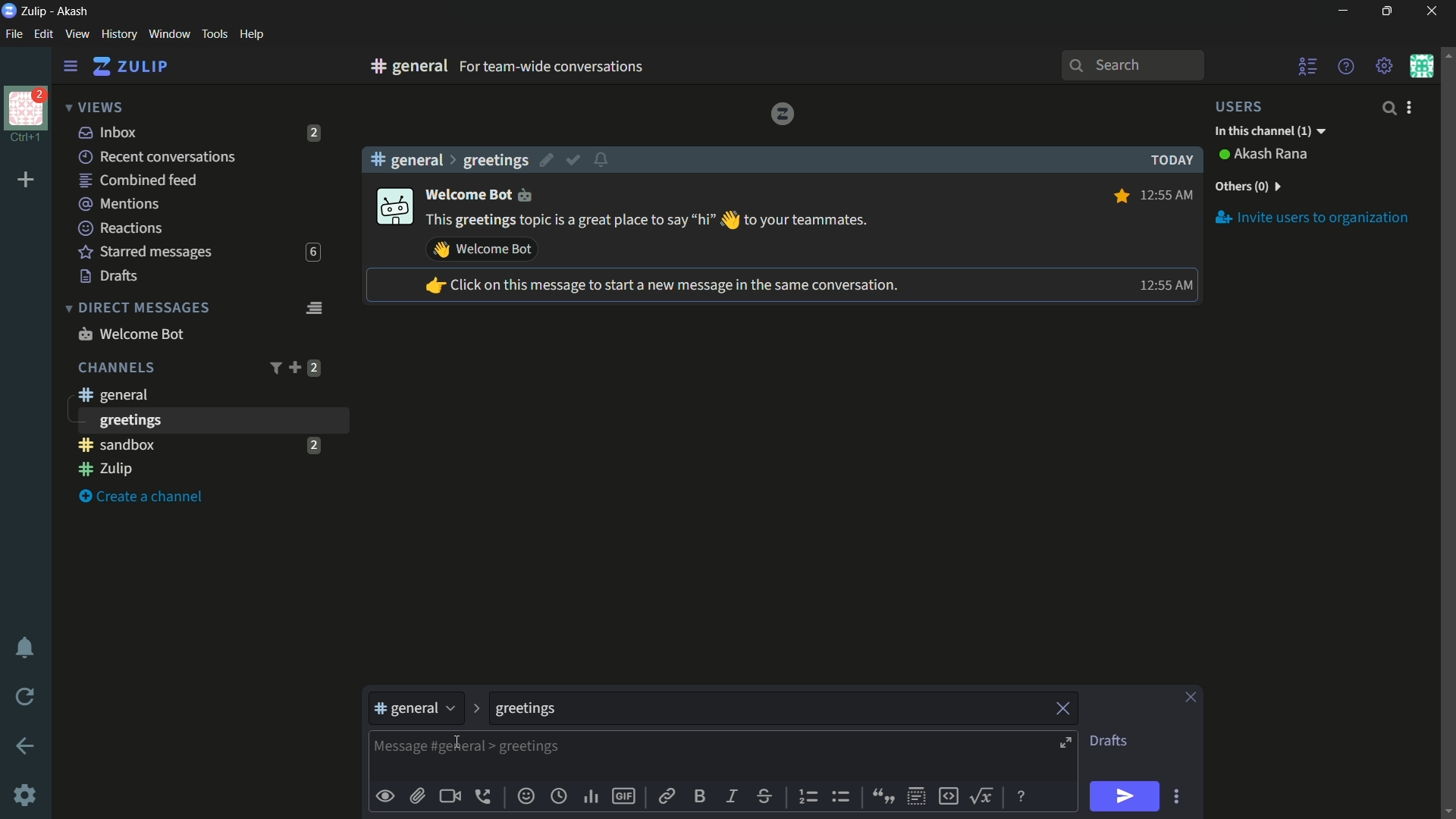 Image resolution: width=1456 pixels, height=819 pixels. What do you see at coordinates (665, 799) in the screenshot?
I see `link` at bounding box center [665, 799].